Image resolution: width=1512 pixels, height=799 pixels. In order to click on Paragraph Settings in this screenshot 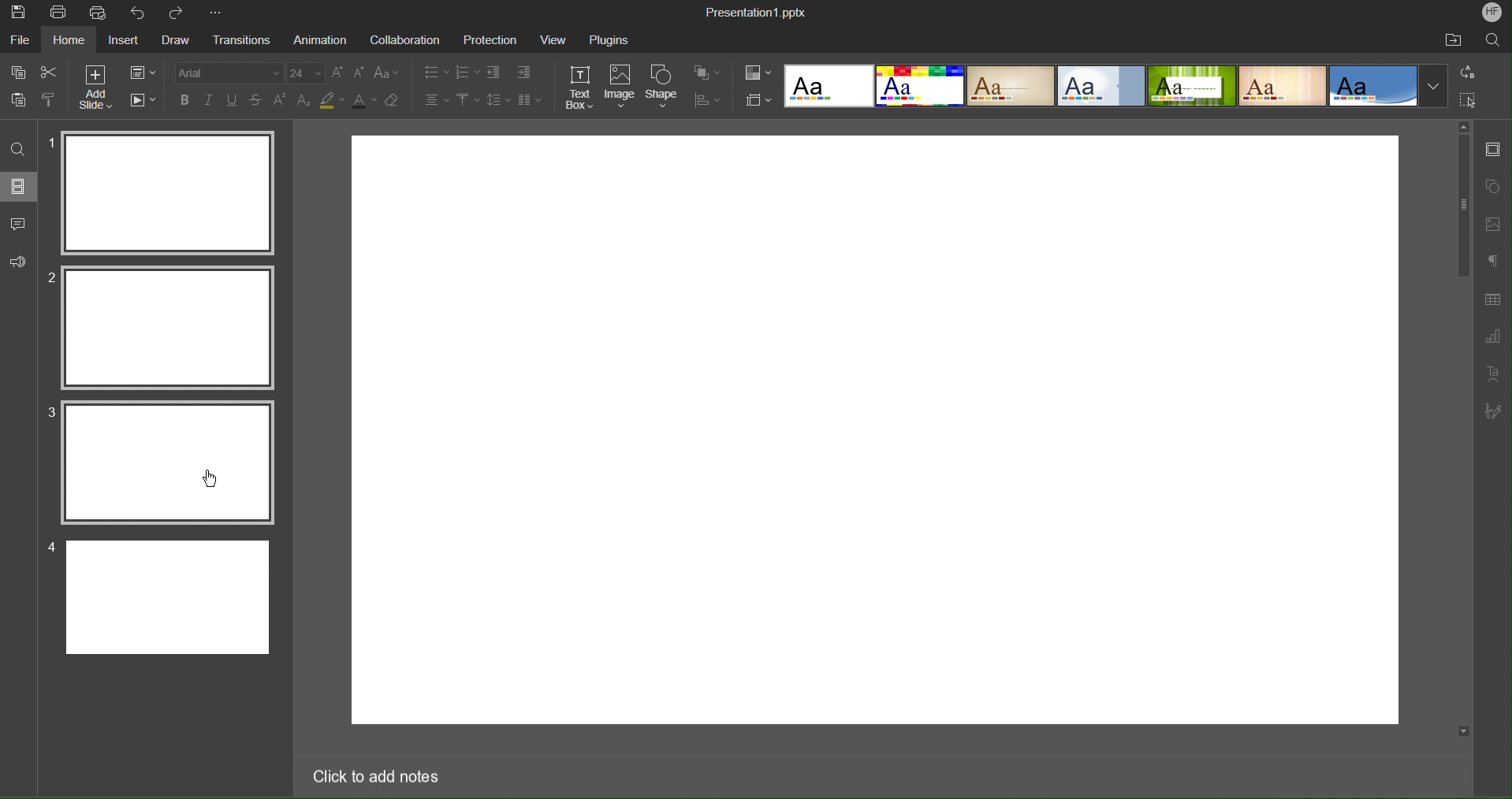, I will do `click(1491, 262)`.